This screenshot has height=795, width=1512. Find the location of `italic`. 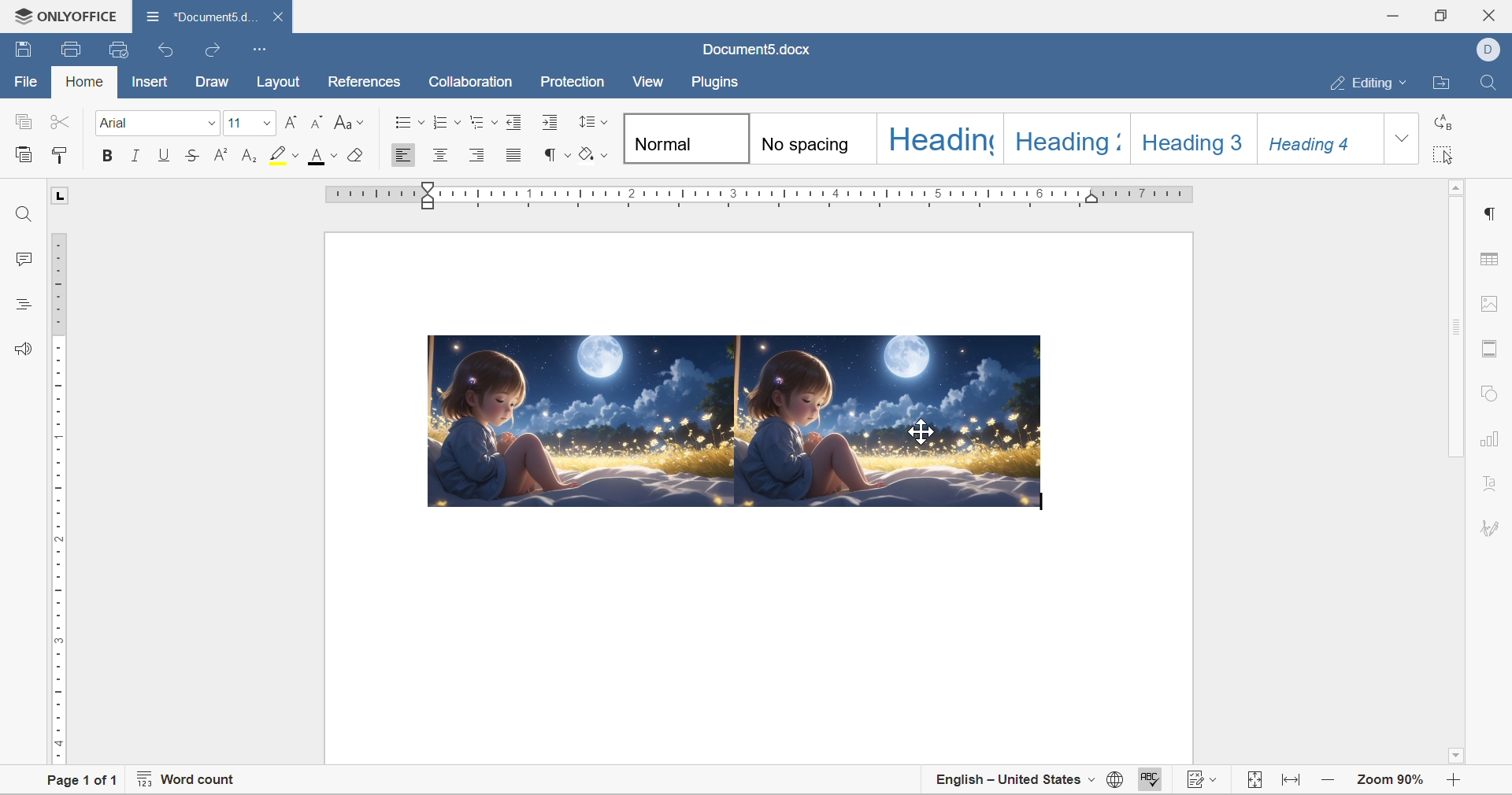

italic is located at coordinates (135, 154).